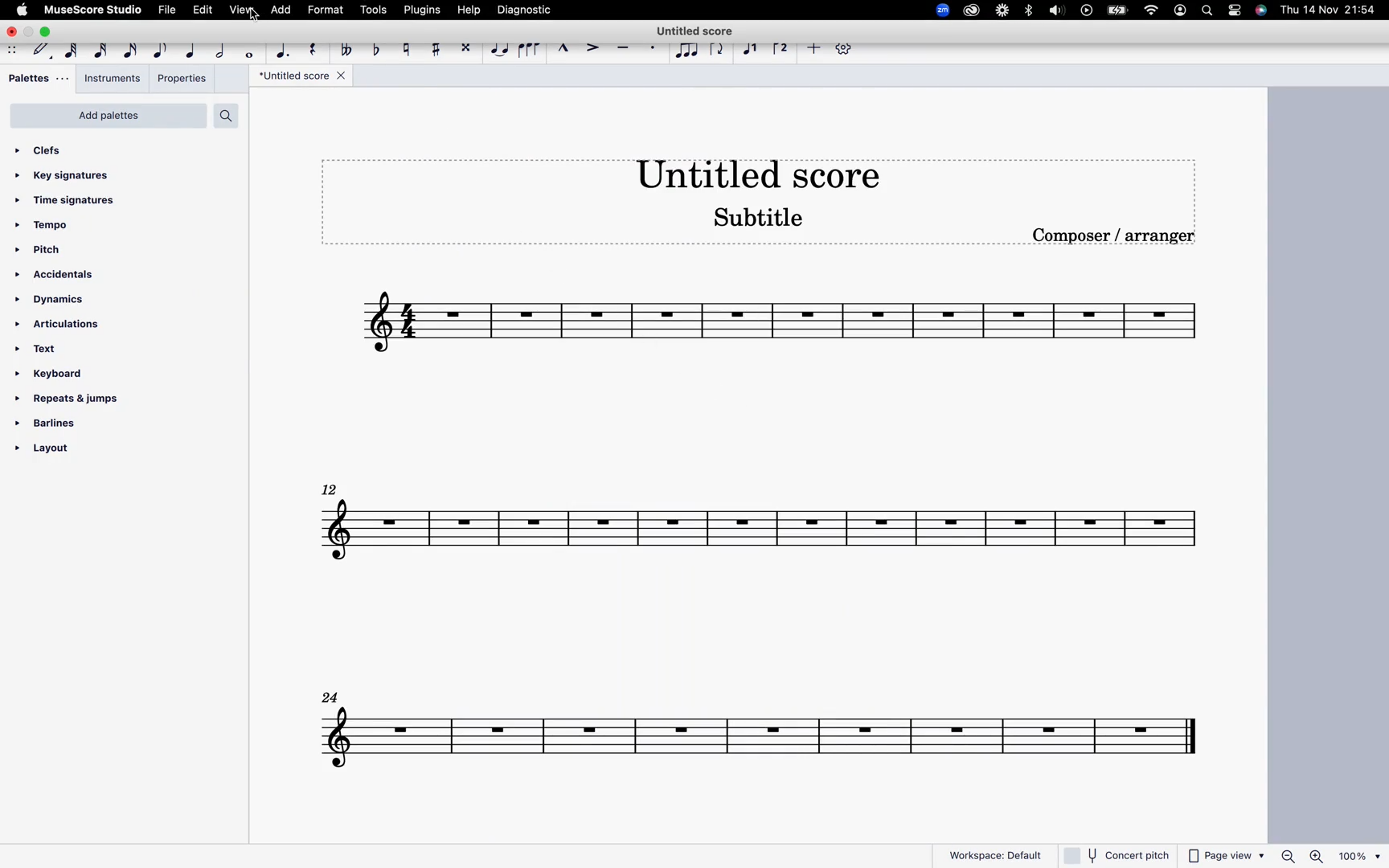 The height and width of the screenshot is (868, 1389). What do you see at coordinates (780, 50) in the screenshot?
I see `voice 2` at bounding box center [780, 50].